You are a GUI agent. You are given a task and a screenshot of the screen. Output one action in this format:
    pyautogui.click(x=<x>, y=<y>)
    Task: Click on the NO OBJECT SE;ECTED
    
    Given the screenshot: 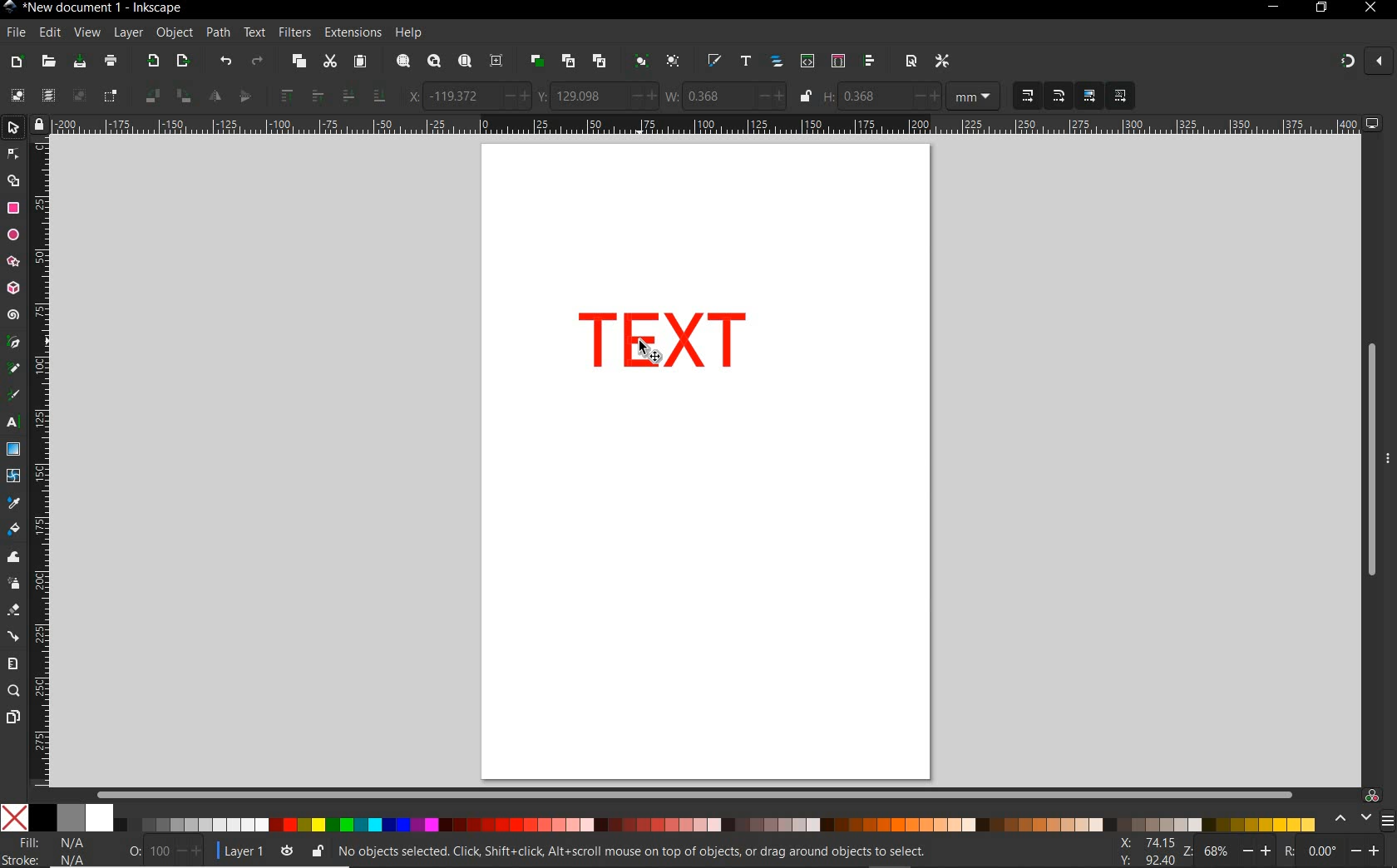 What is the action you would take?
    pyautogui.click(x=633, y=854)
    